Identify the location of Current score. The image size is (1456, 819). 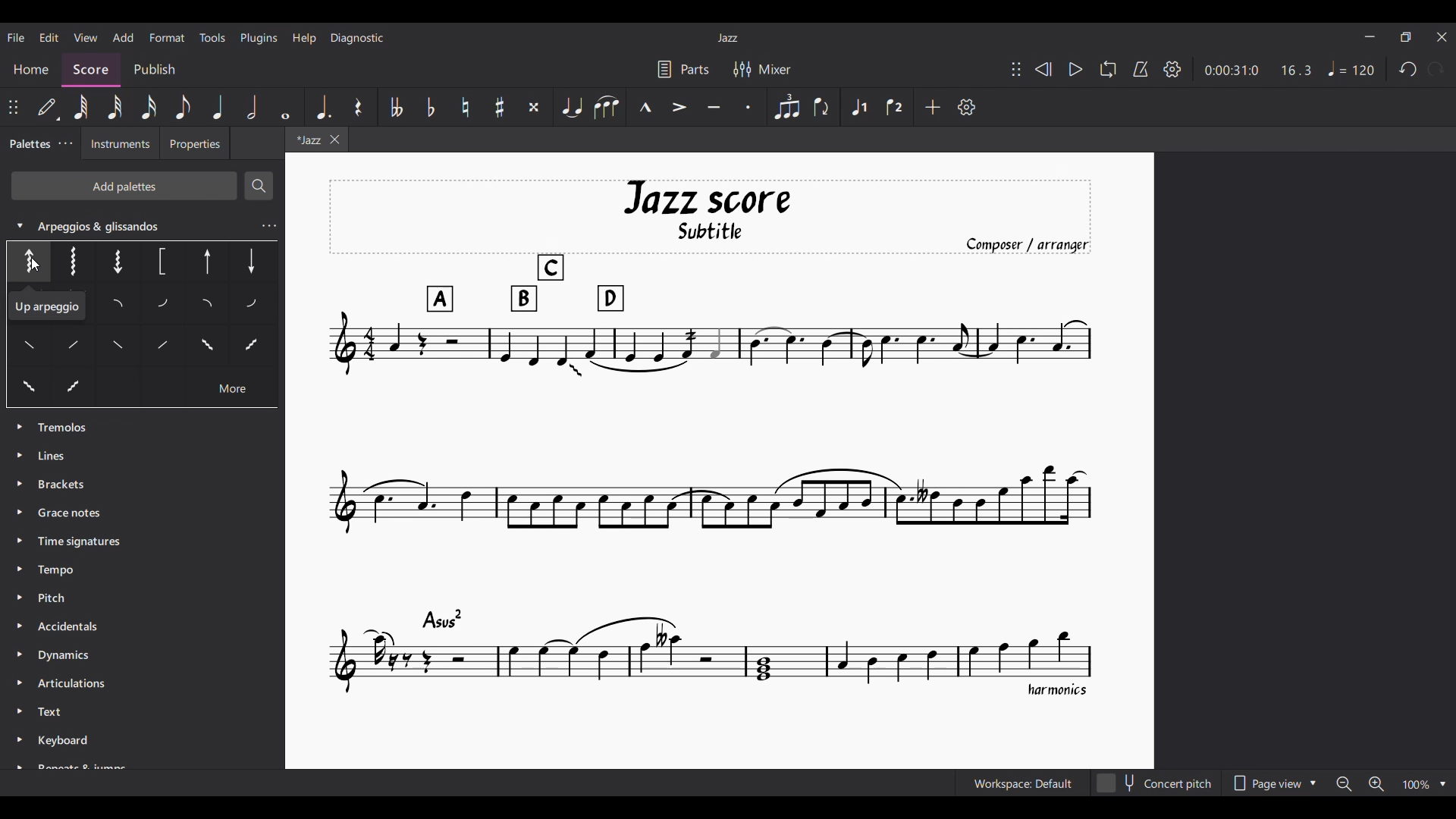
(713, 440).